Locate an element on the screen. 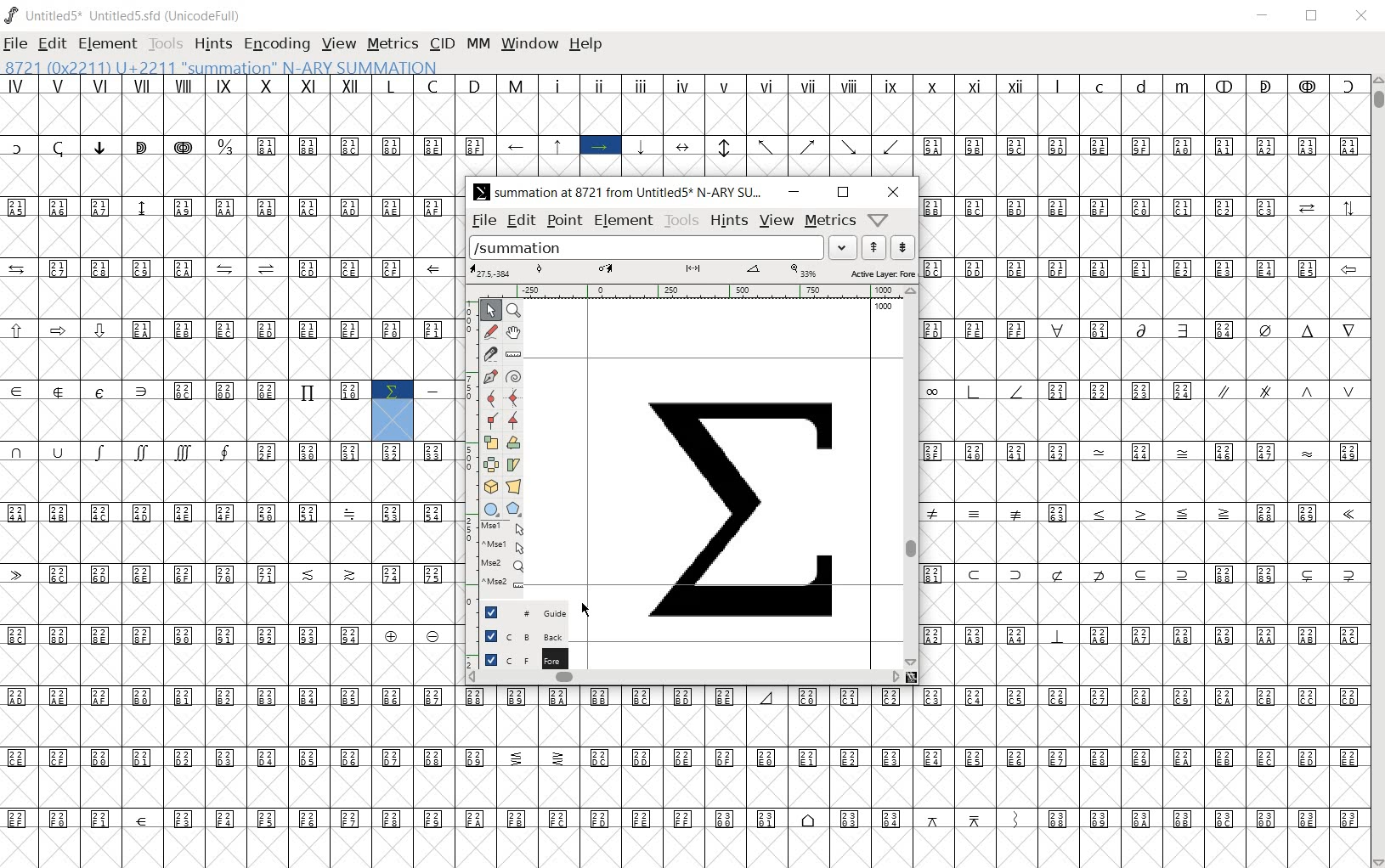 This screenshot has width=1385, height=868. polygon or star is located at coordinates (514, 508).